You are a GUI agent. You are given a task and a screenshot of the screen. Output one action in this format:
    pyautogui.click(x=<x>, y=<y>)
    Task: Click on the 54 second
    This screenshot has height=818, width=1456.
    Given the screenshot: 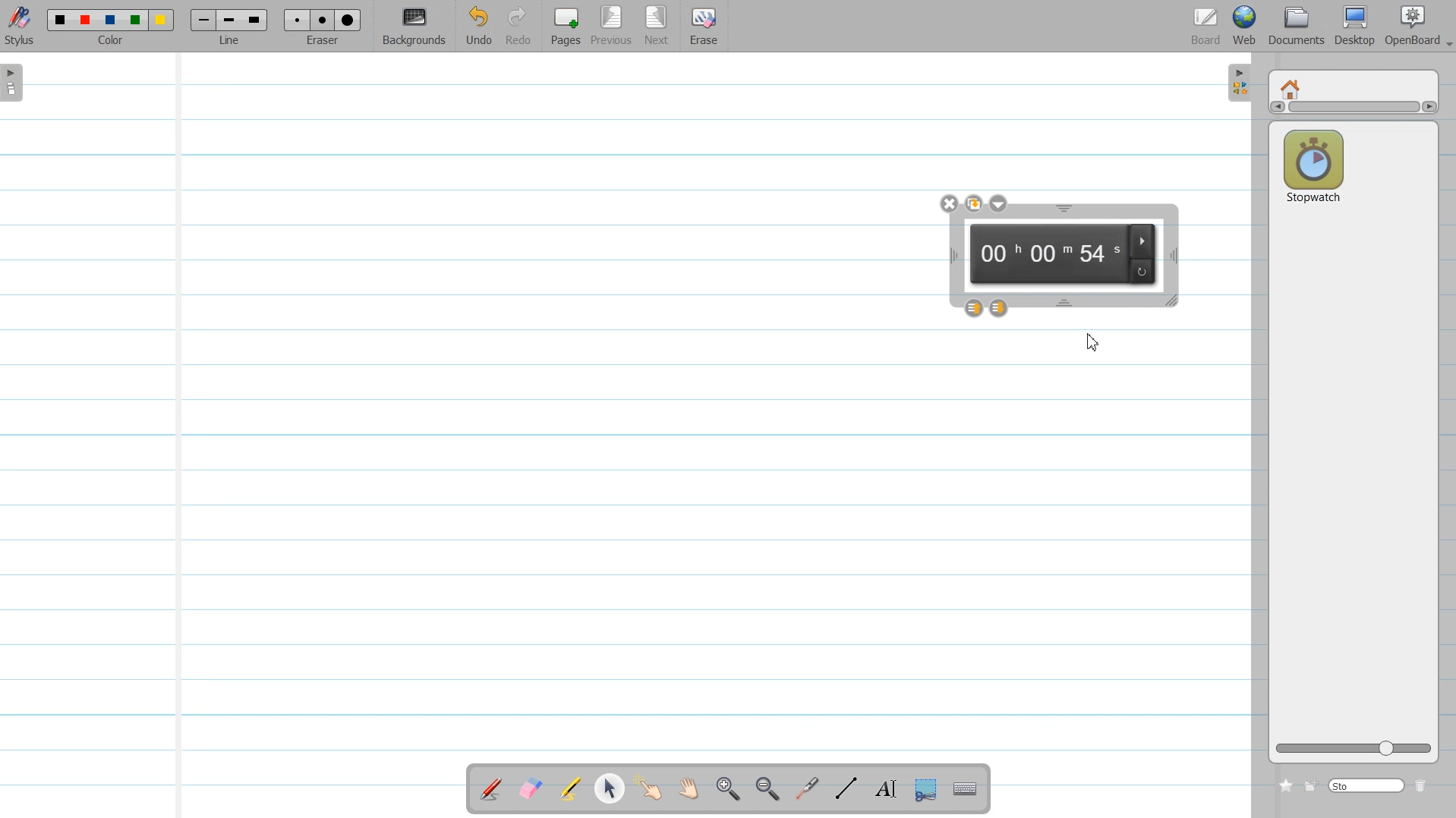 What is the action you would take?
    pyautogui.click(x=1100, y=254)
    